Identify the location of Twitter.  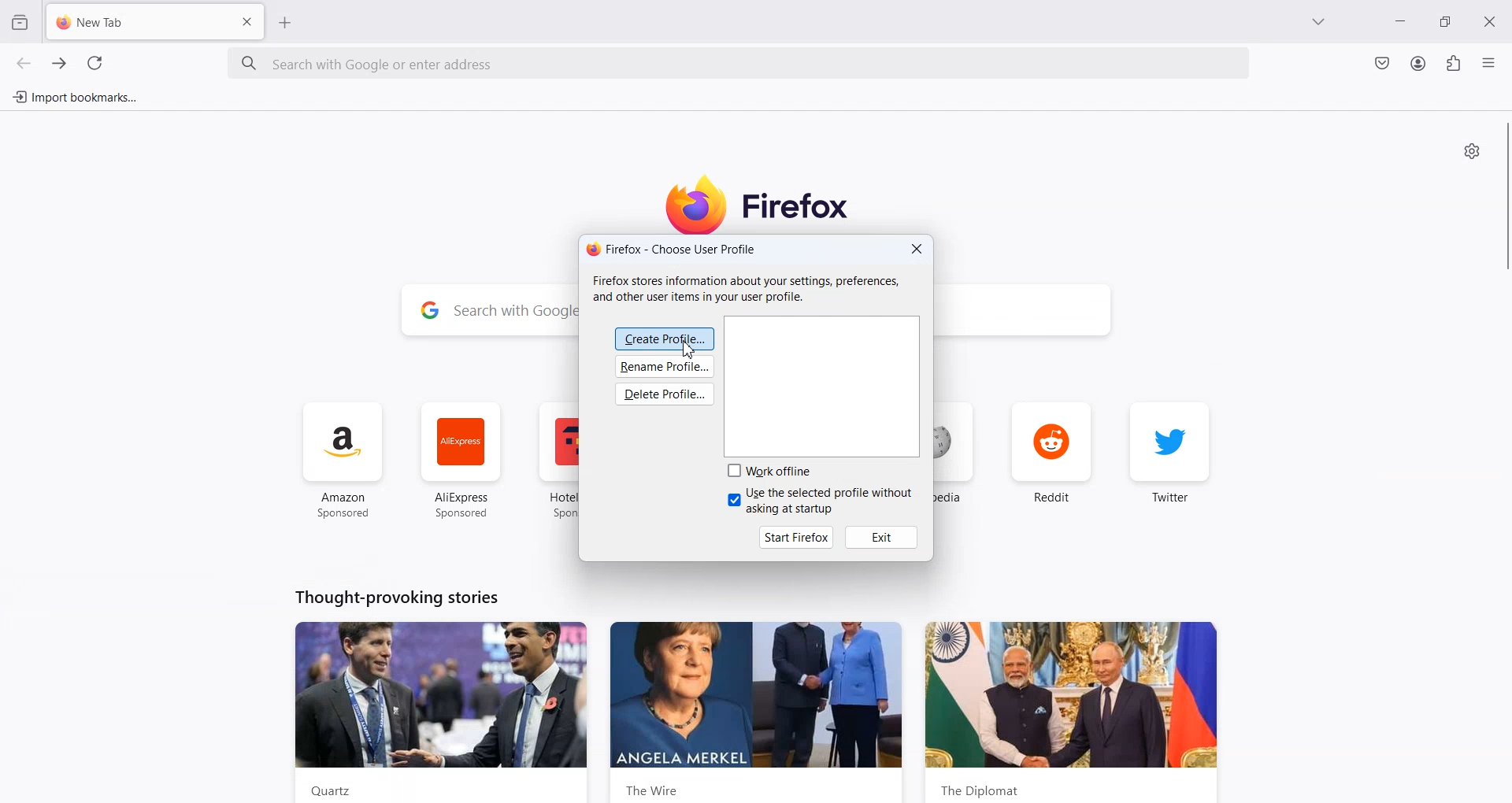
(1170, 461).